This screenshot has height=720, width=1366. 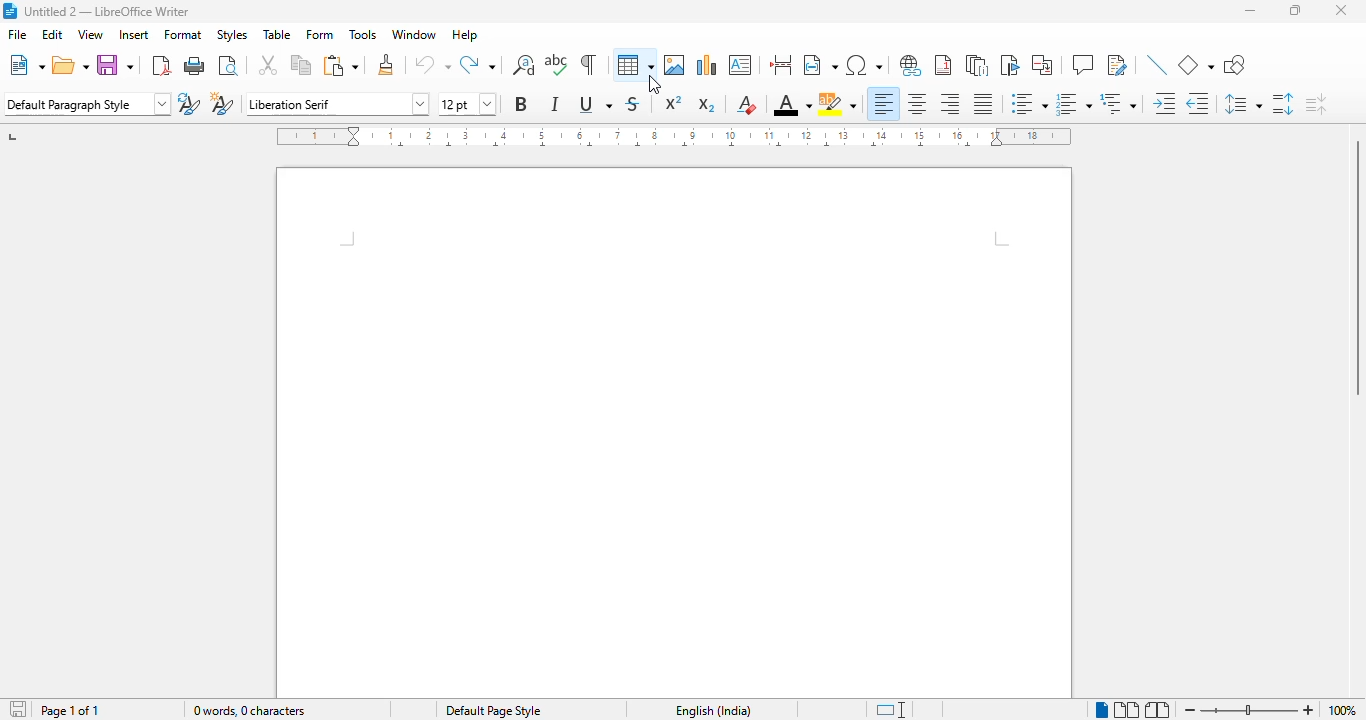 What do you see at coordinates (918, 104) in the screenshot?
I see `align center` at bounding box center [918, 104].